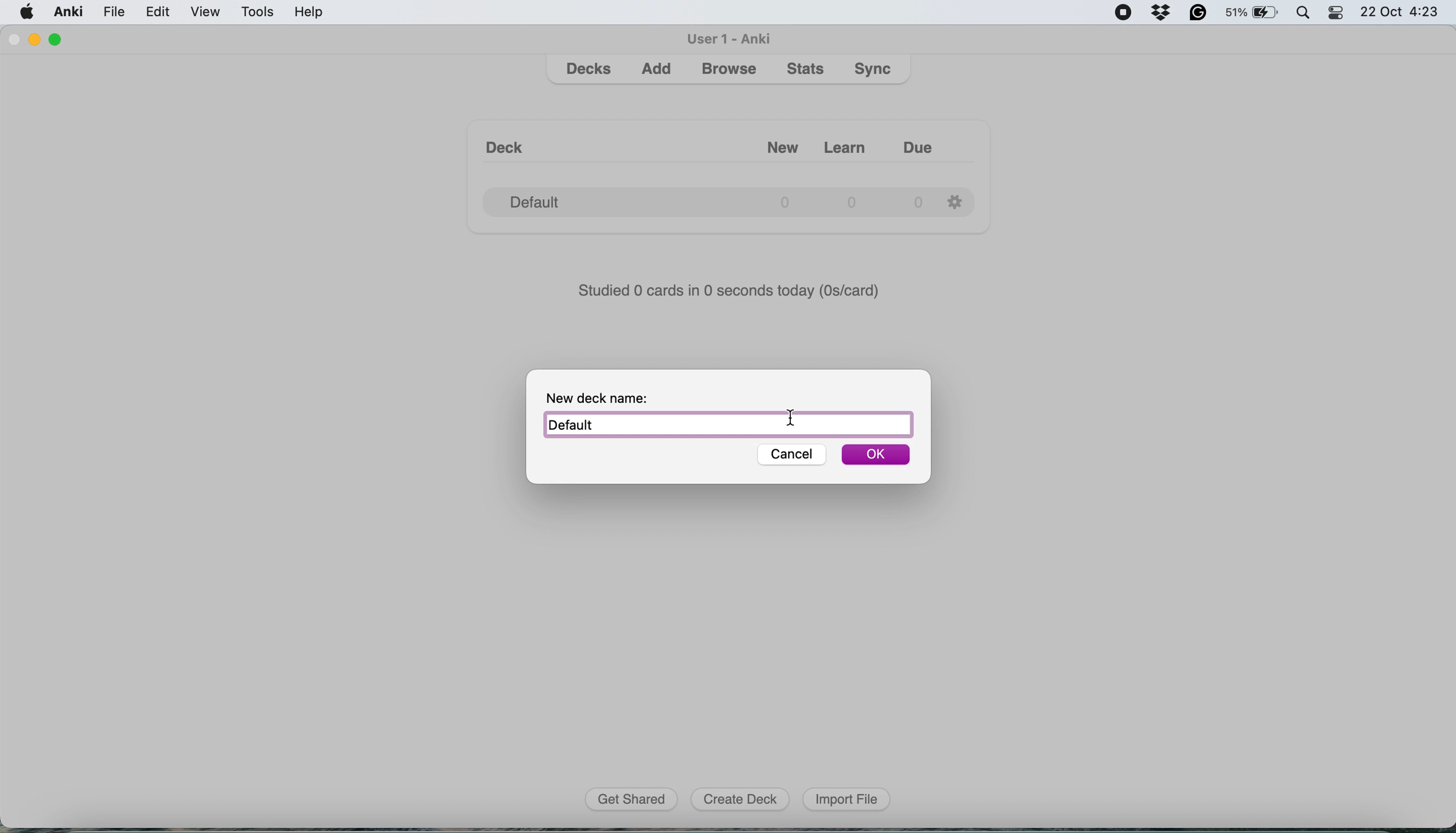 This screenshot has width=1456, height=833. Describe the element at coordinates (848, 799) in the screenshot. I see `import file` at that location.